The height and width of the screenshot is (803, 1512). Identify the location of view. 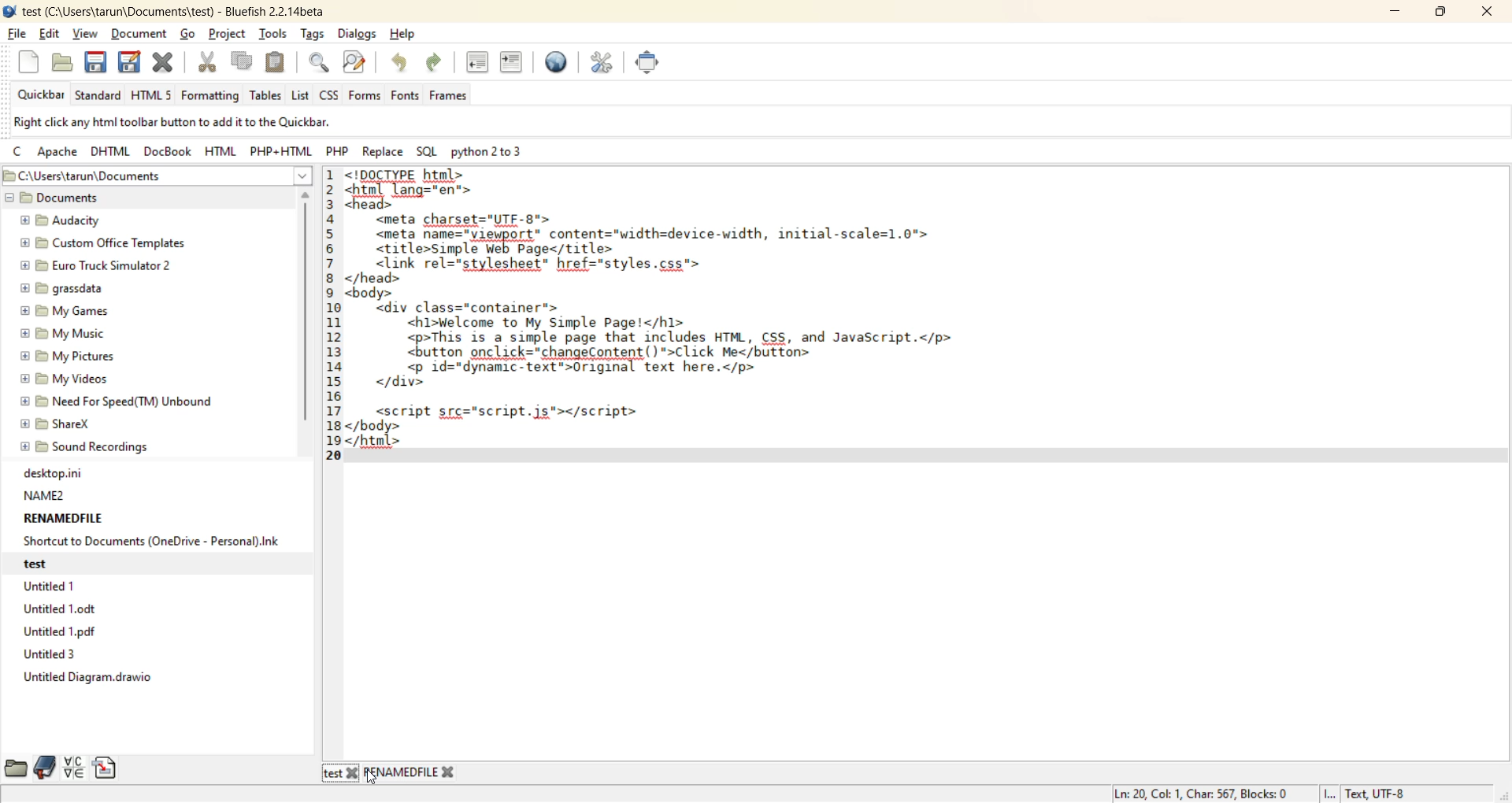
(88, 31).